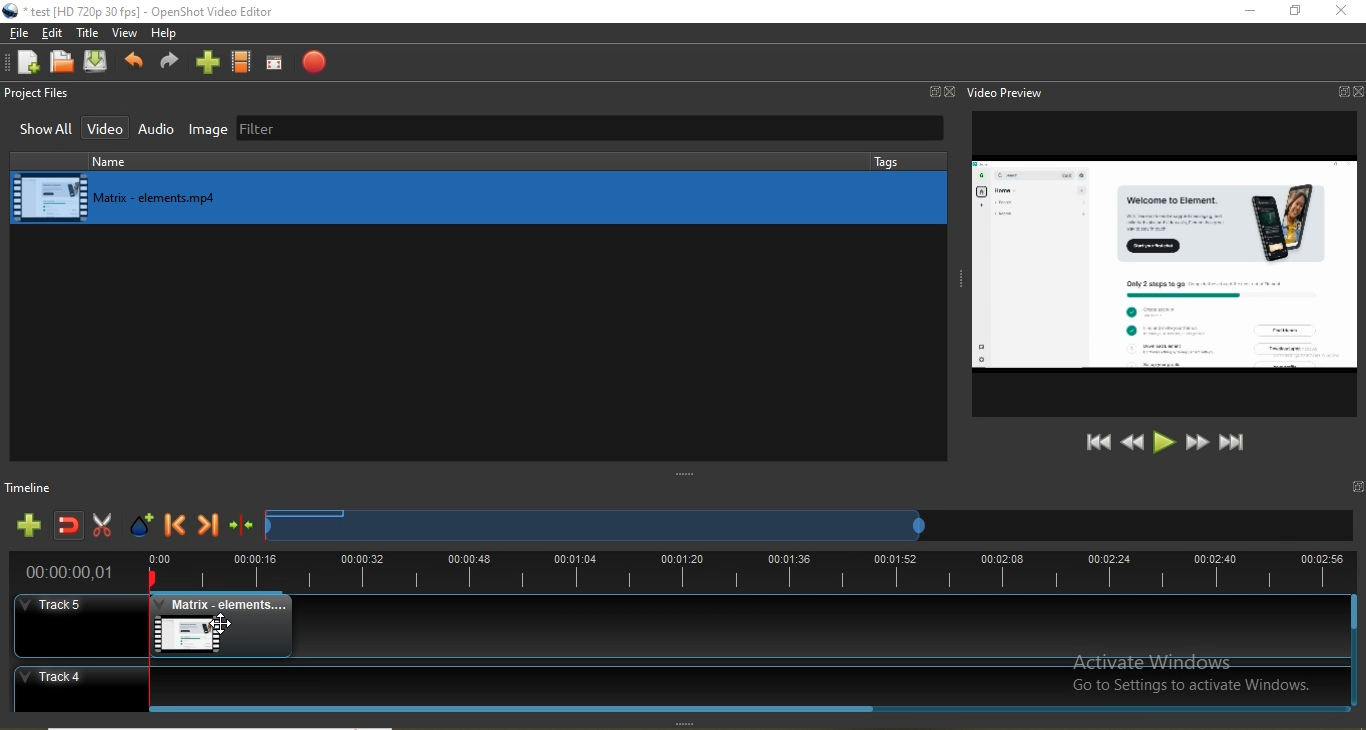  I want to click on Timeline scrub, so click(596, 528).